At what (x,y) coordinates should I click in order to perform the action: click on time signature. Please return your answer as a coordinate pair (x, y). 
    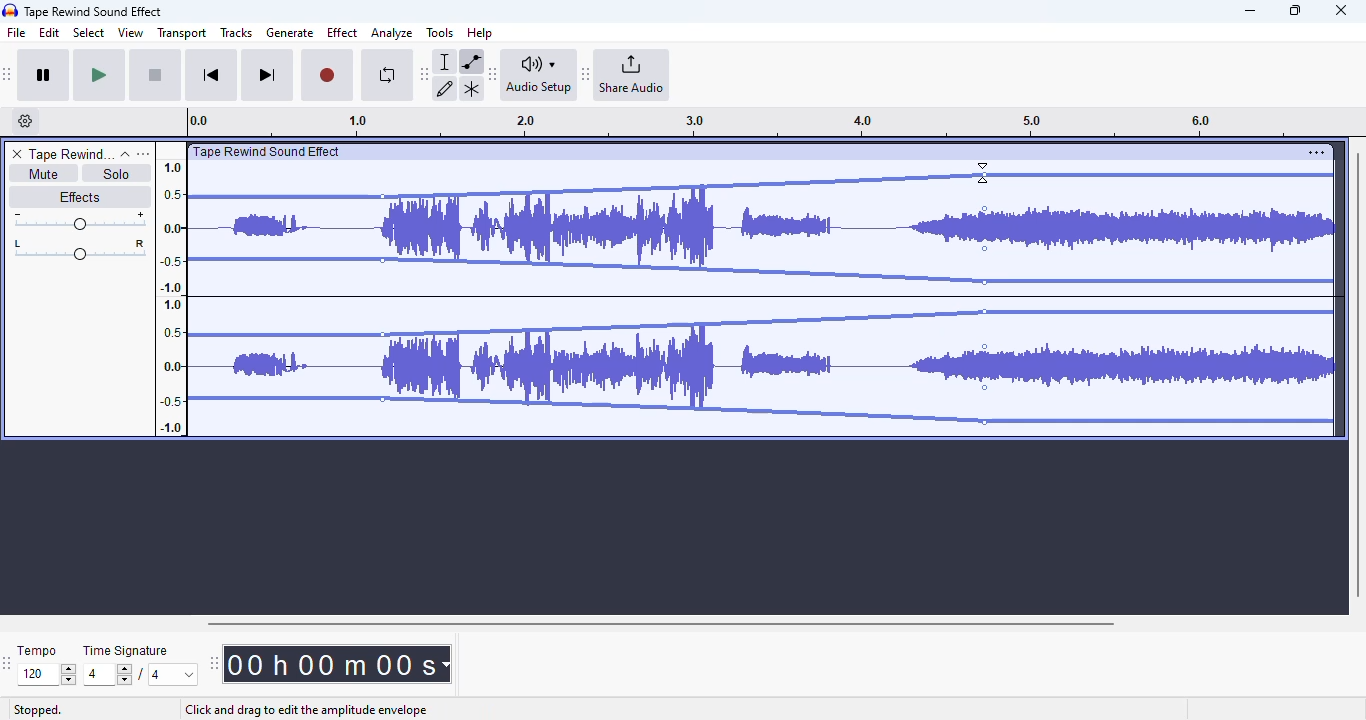
    Looking at the image, I should click on (126, 651).